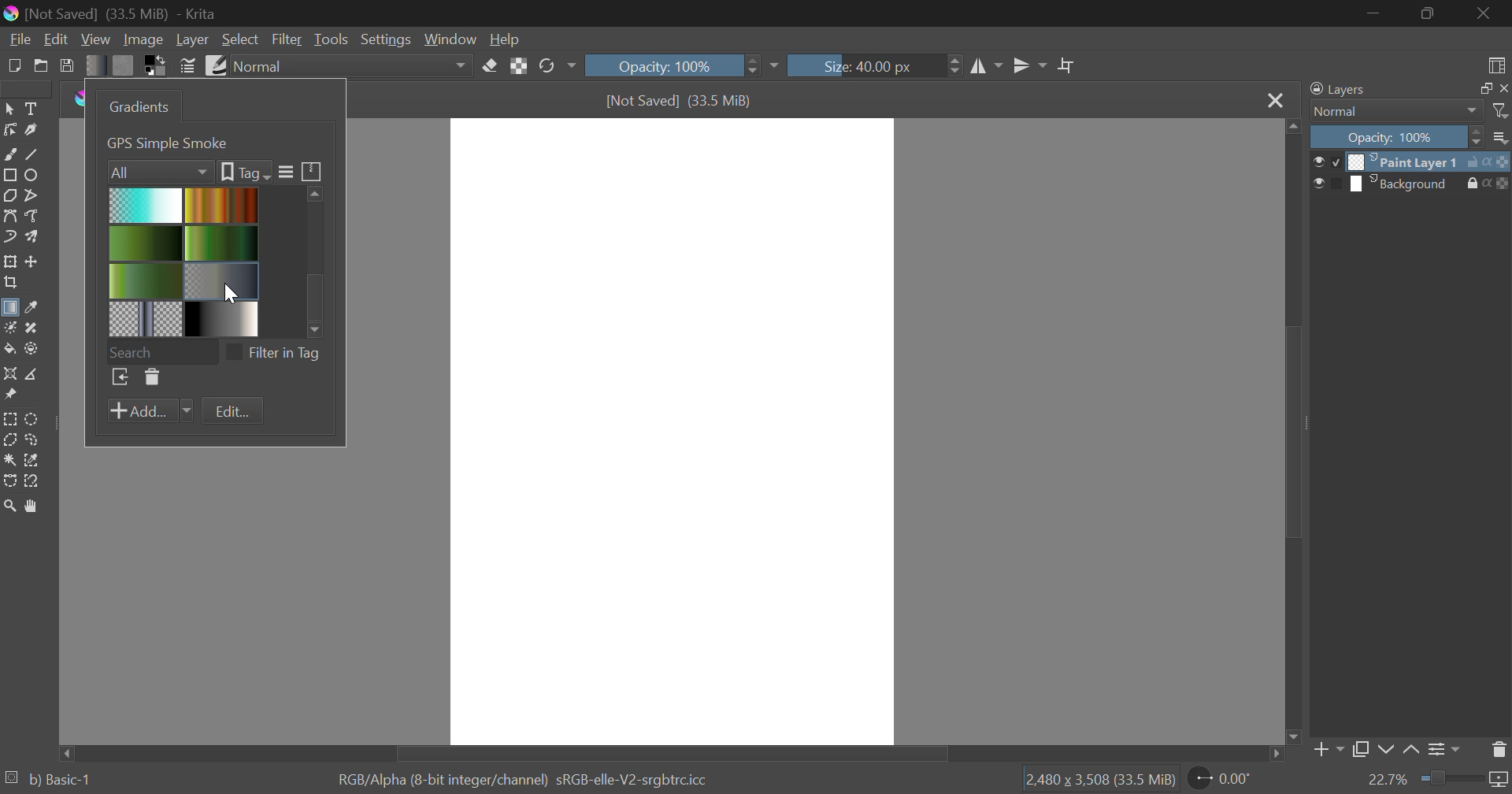 This screenshot has width=1512, height=794. I want to click on Gradient 1, so click(146, 205).